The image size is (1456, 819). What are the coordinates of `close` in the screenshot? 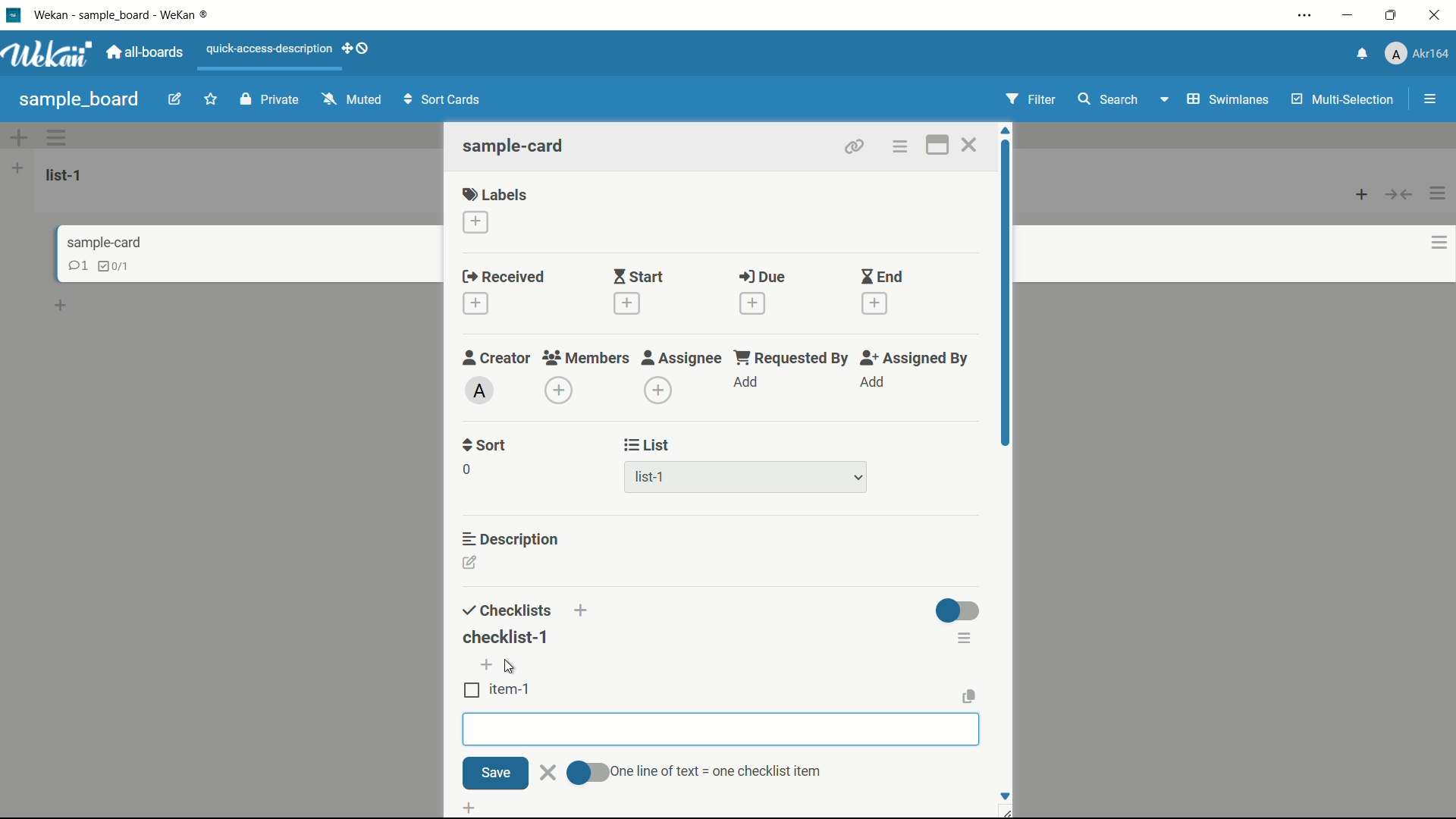 It's located at (547, 771).